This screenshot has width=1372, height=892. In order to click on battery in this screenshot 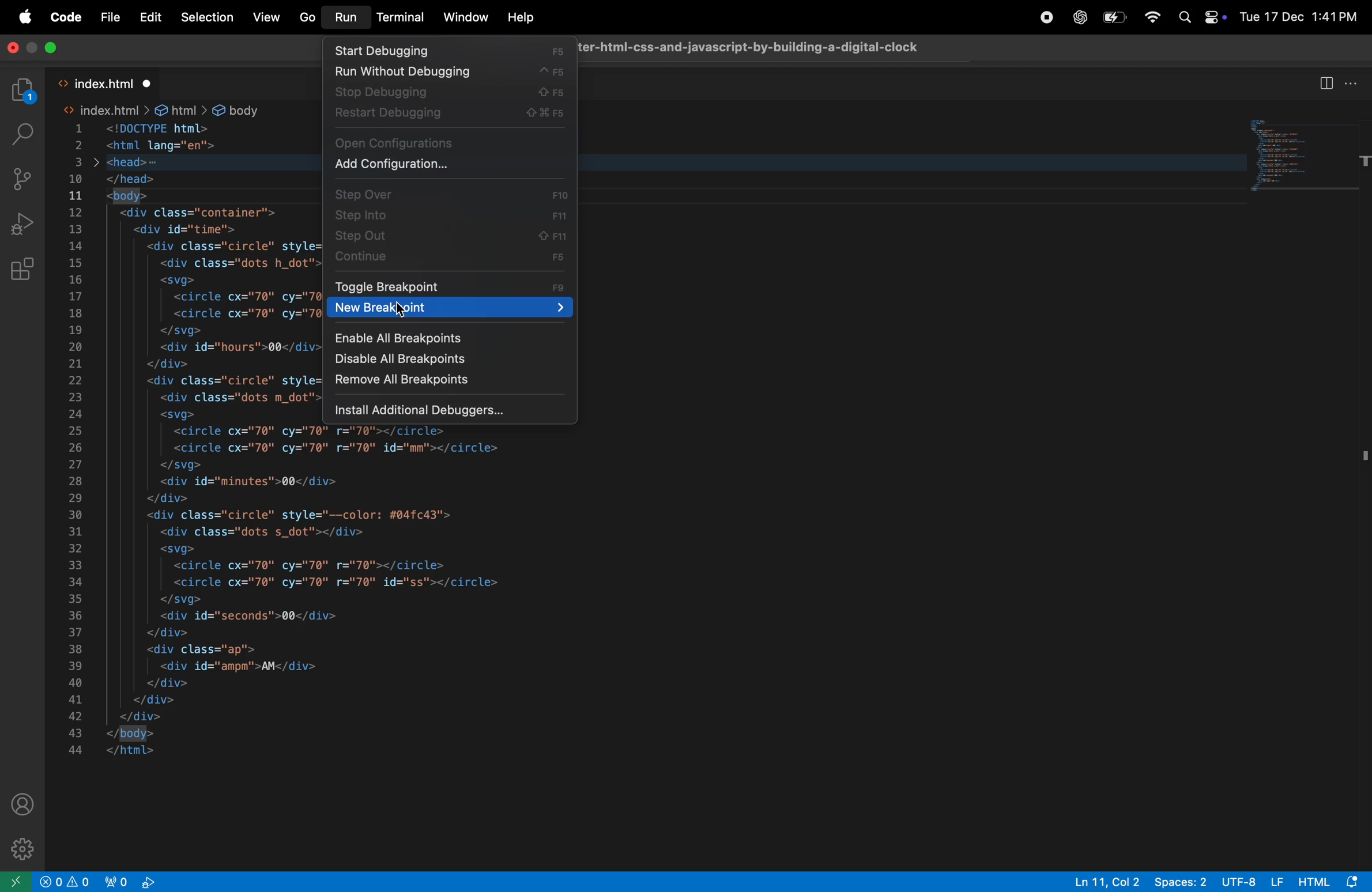, I will do `click(1114, 20)`.